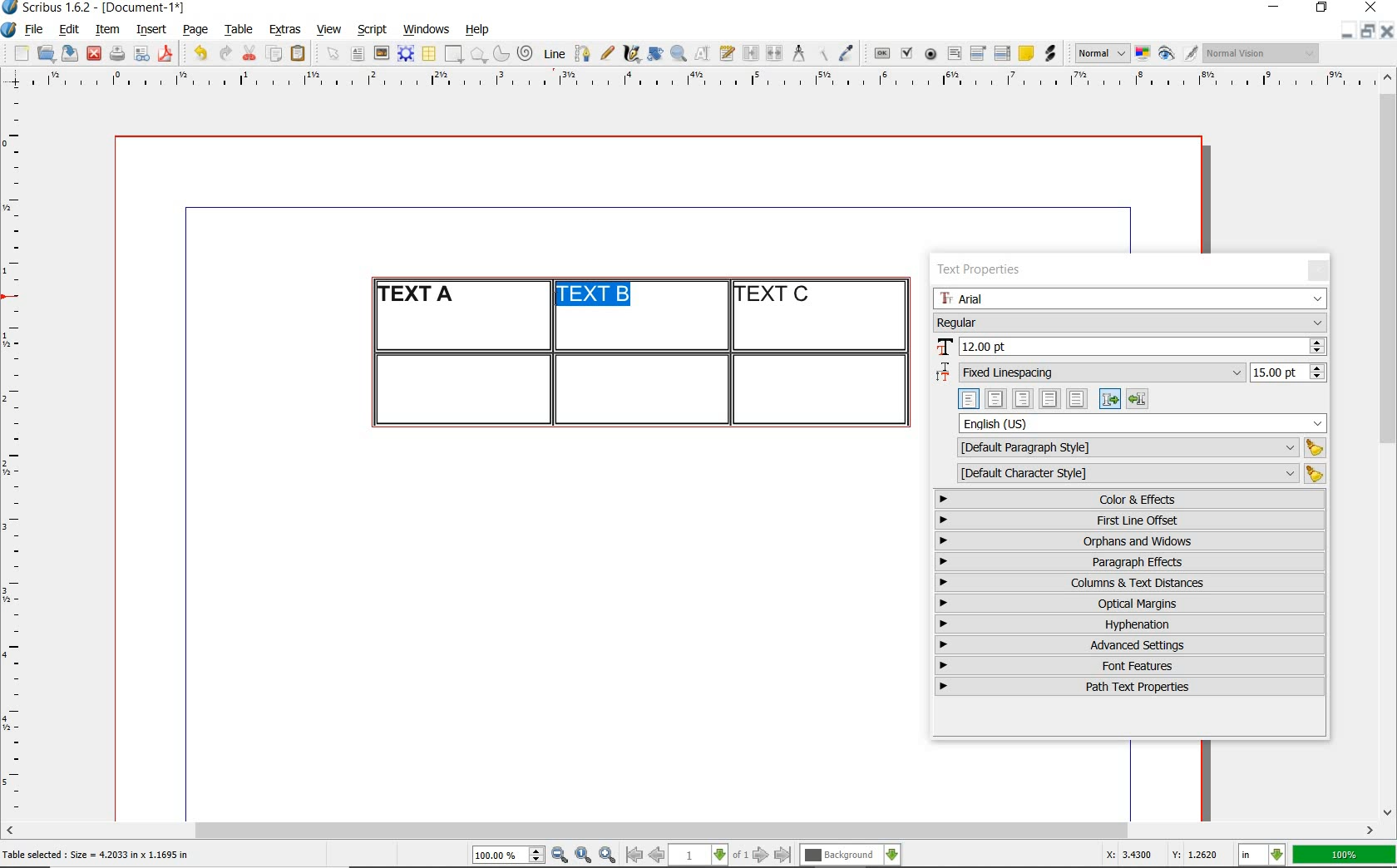 This screenshot has width=1397, height=868. I want to click on text language, so click(1143, 423).